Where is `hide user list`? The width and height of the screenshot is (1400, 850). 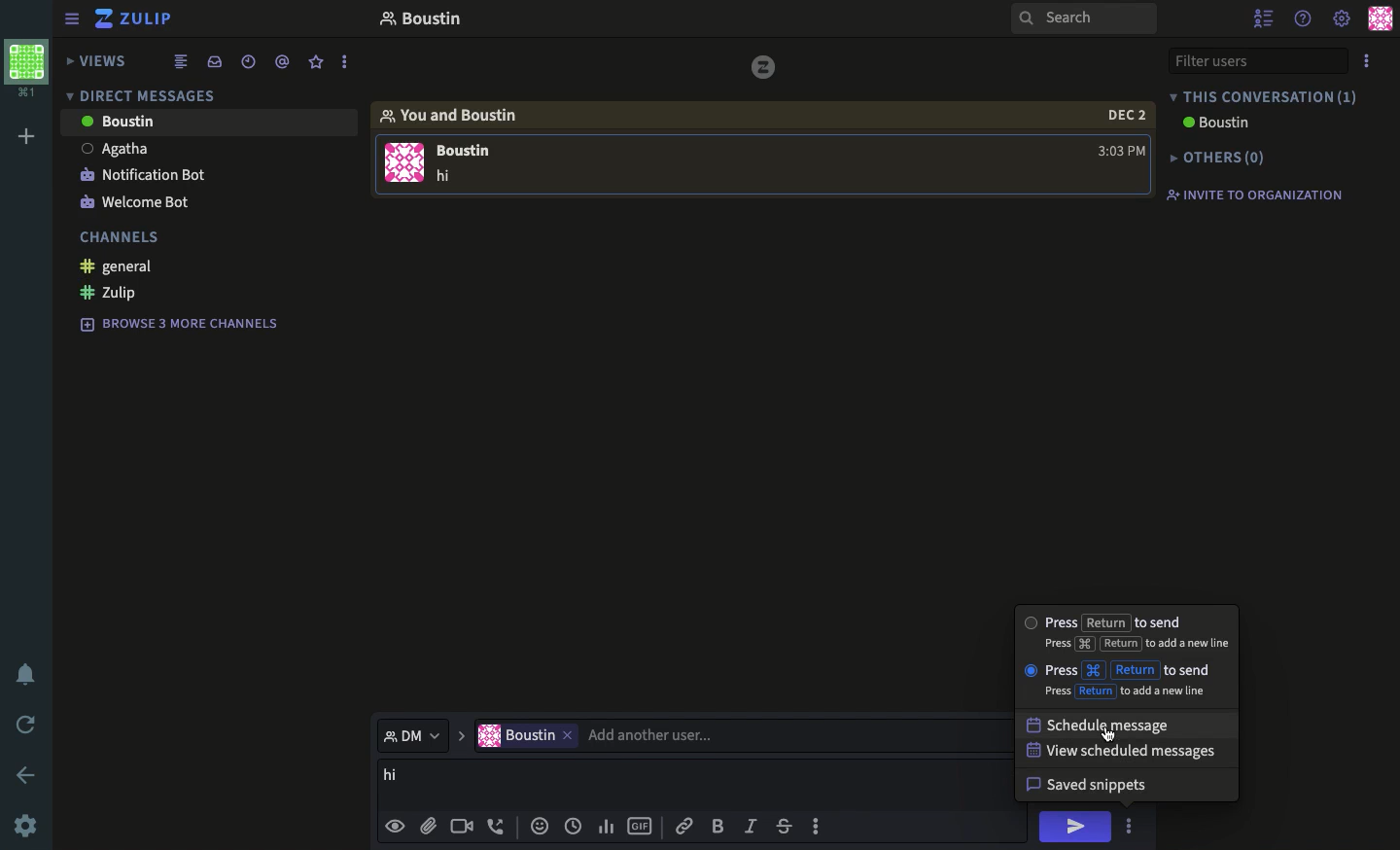
hide user list is located at coordinates (1264, 18).